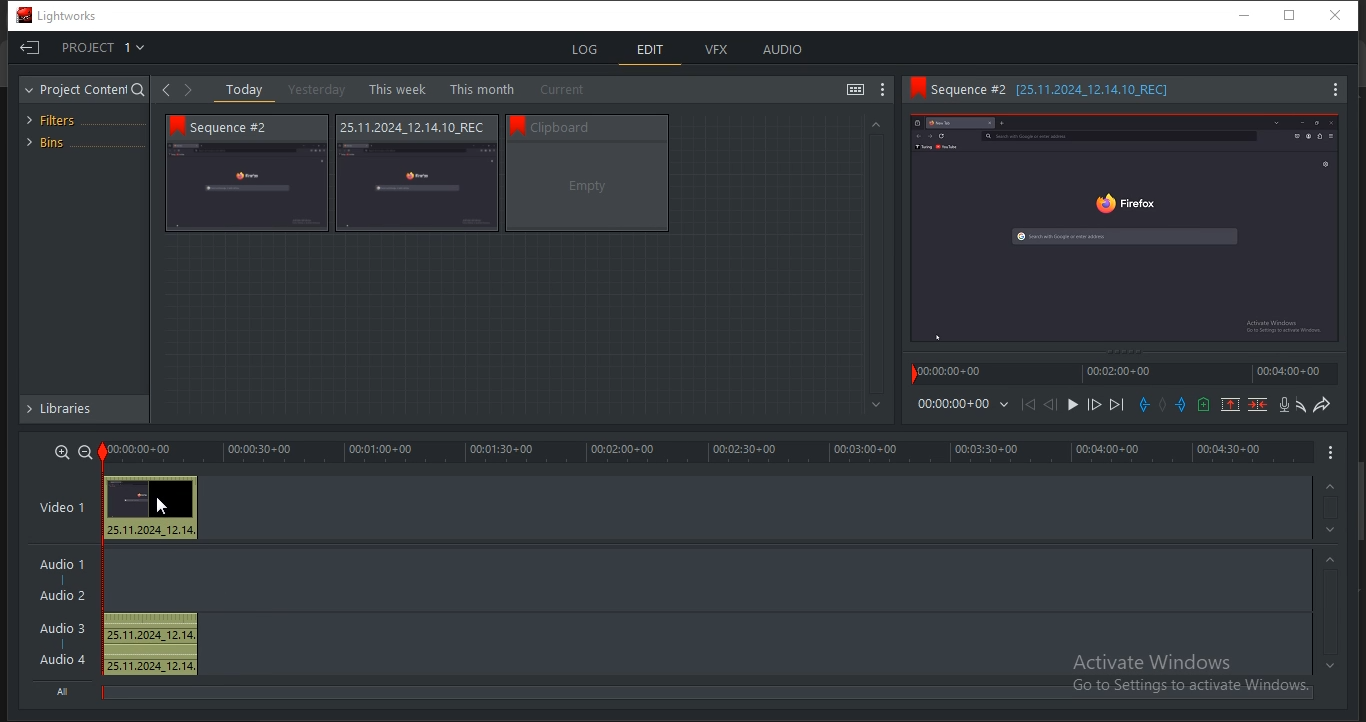 This screenshot has height=722, width=1366. Describe the element at coordinates (1180, 405) in the screenshot. I see `add an out mark` at that location.